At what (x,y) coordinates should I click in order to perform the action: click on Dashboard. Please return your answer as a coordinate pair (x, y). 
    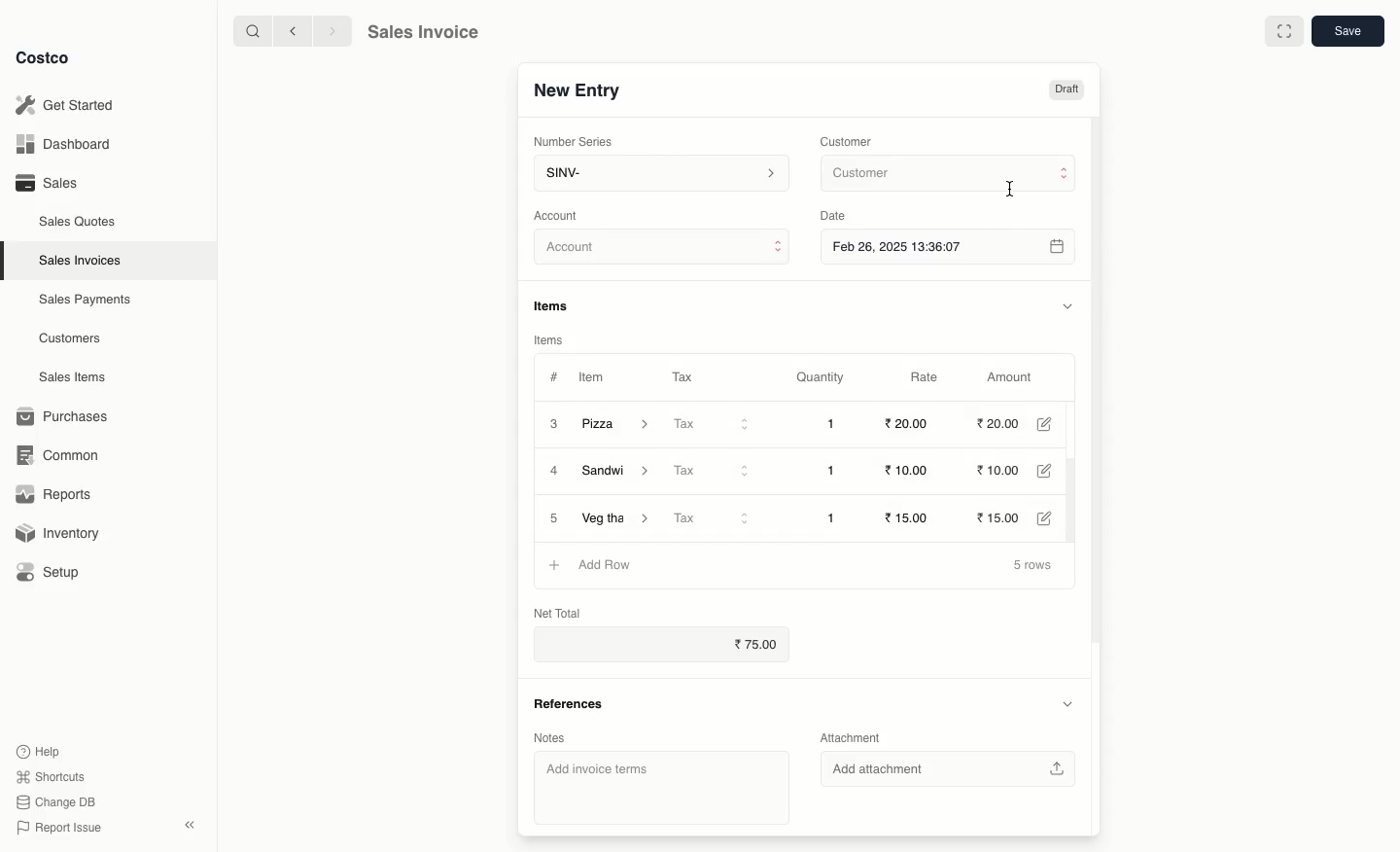
    Looking at the image, I should click on (60, 145).